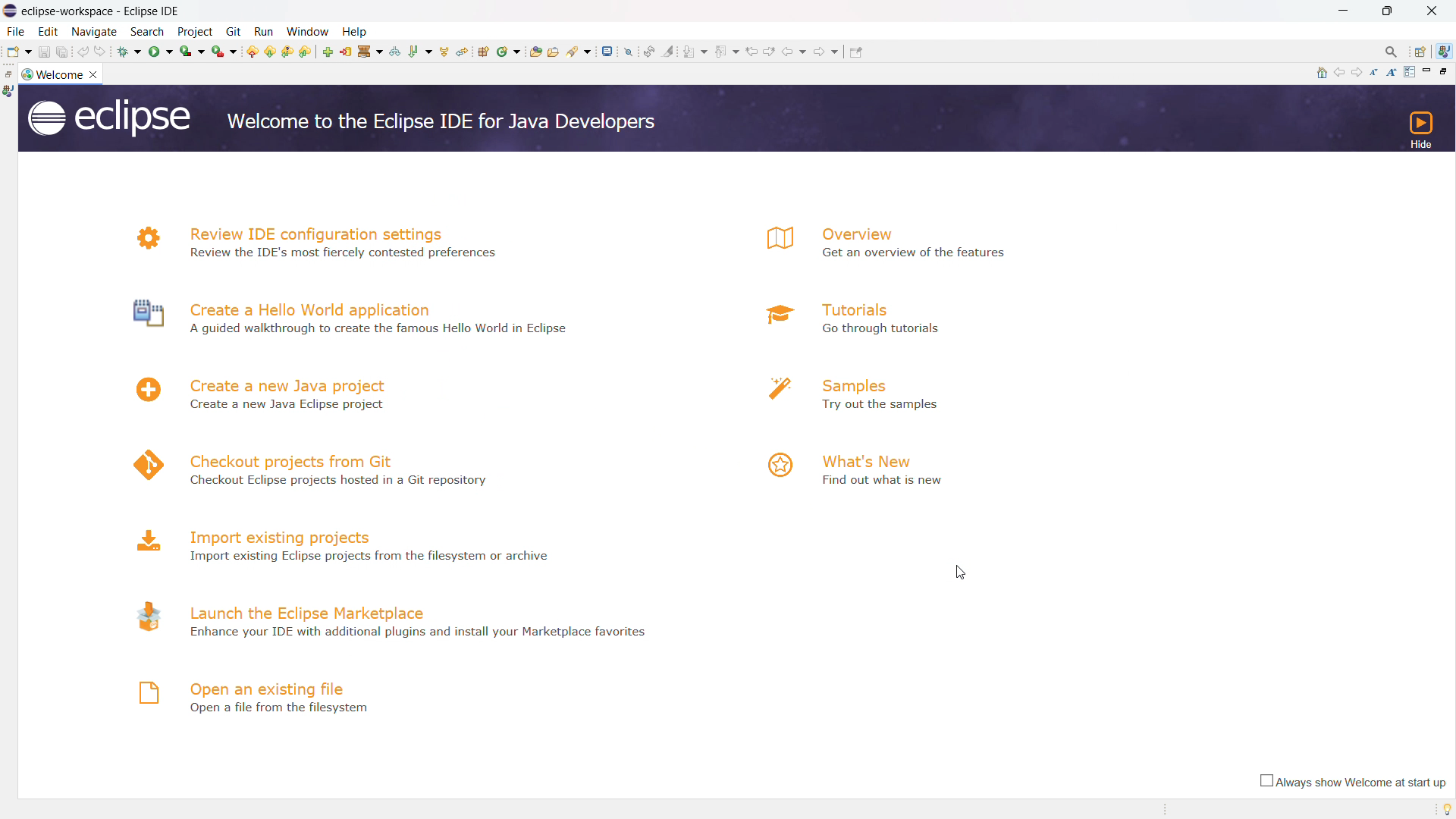 This screenshot has width=1456, height=819. I want to click on Open a file from filesystem, so click(277, 710).